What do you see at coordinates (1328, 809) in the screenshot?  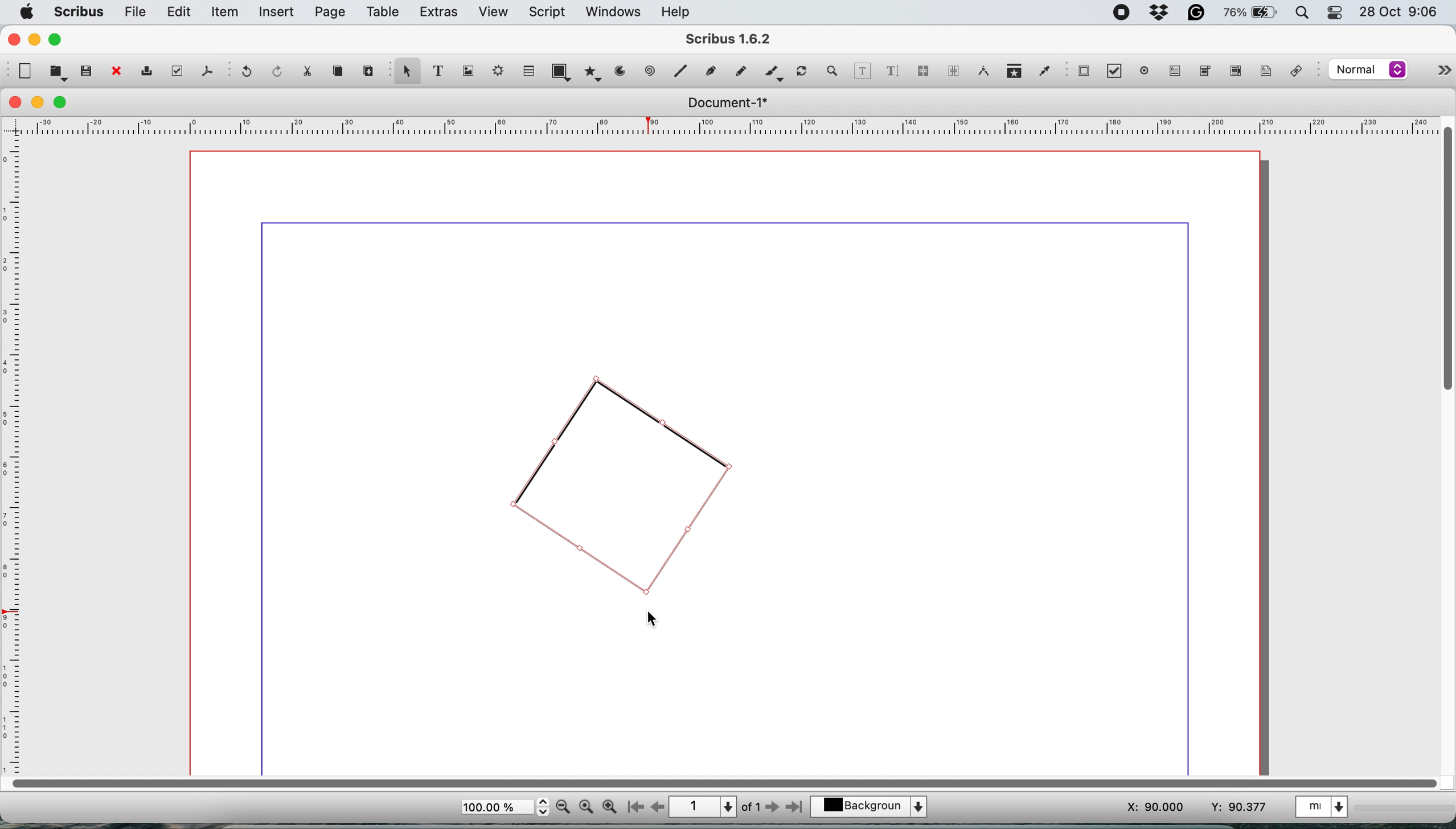 I see `select the current unit` at bounding box center [1328, 809].